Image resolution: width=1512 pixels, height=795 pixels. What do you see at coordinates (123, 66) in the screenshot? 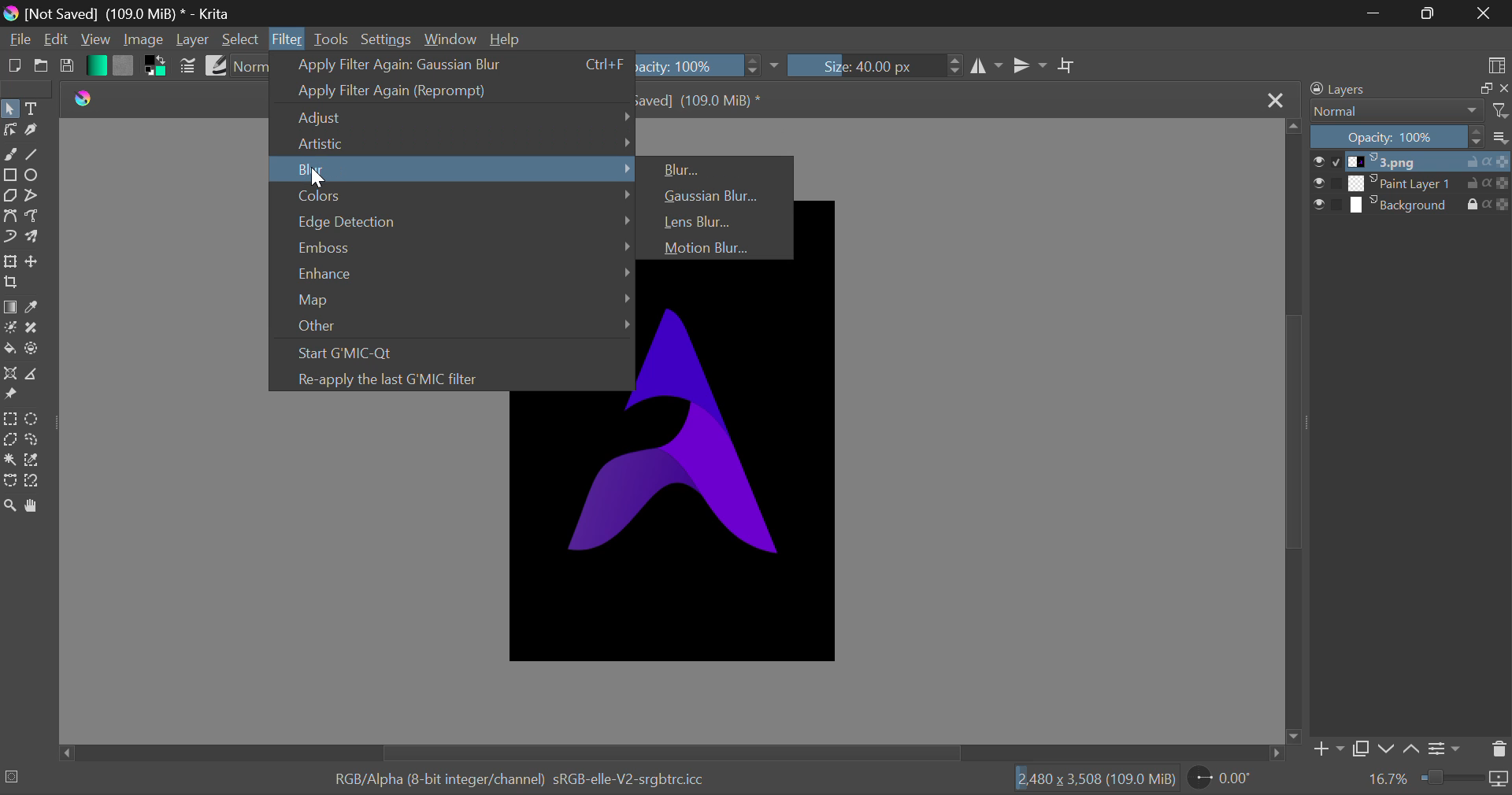
I see `Pattern` at bounding box center [123, 66].